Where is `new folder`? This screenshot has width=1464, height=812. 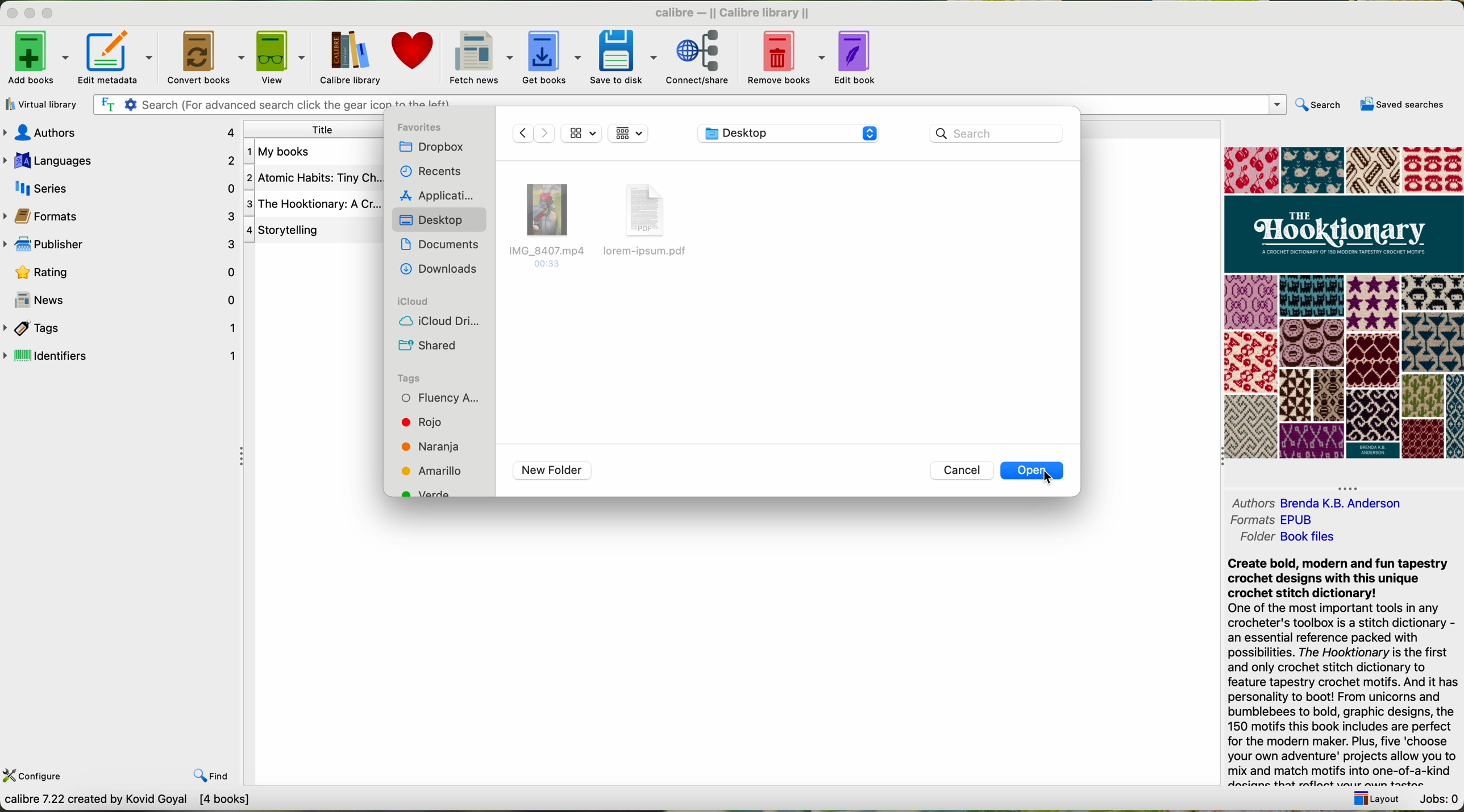 new folder is located at coordinates (552, 471).